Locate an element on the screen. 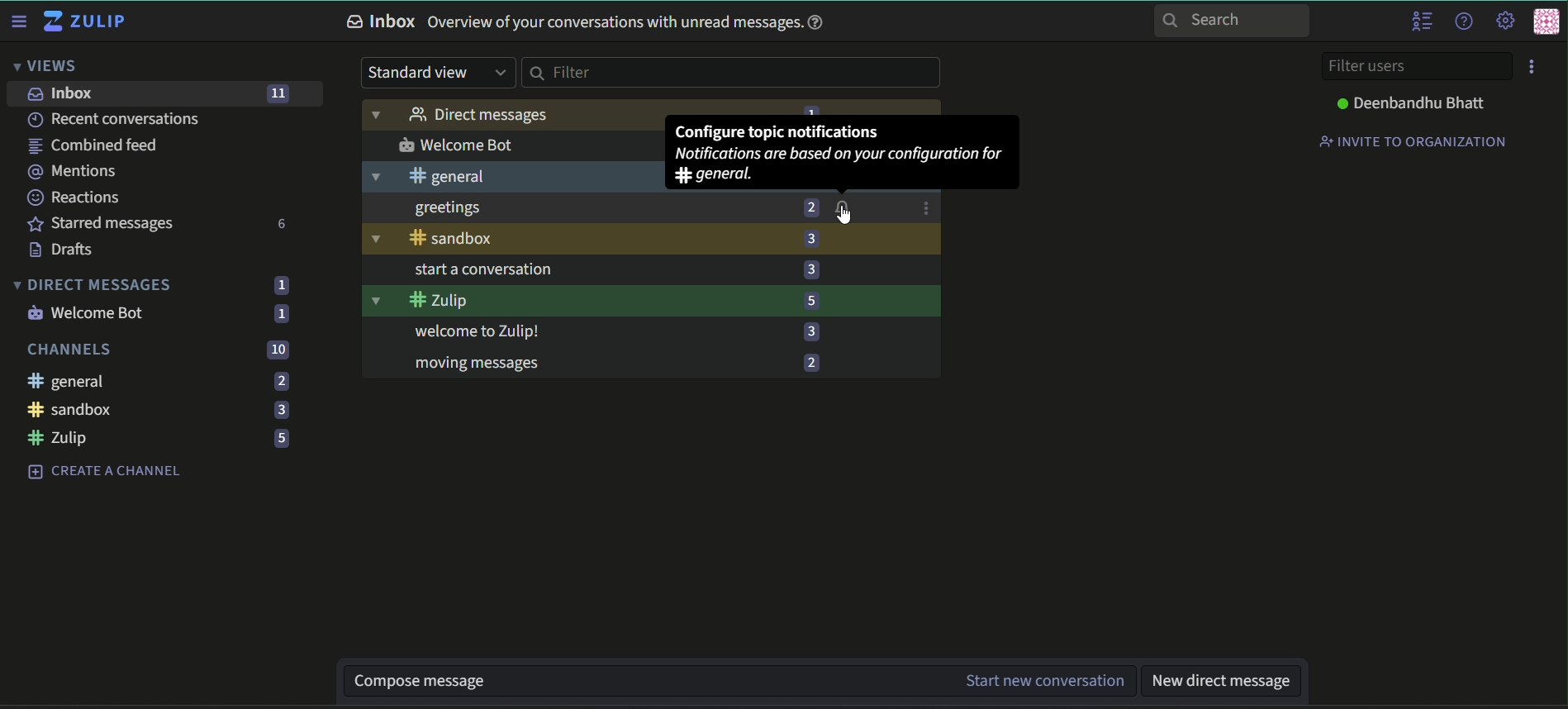  Filter is located at coordinates (731, 74).